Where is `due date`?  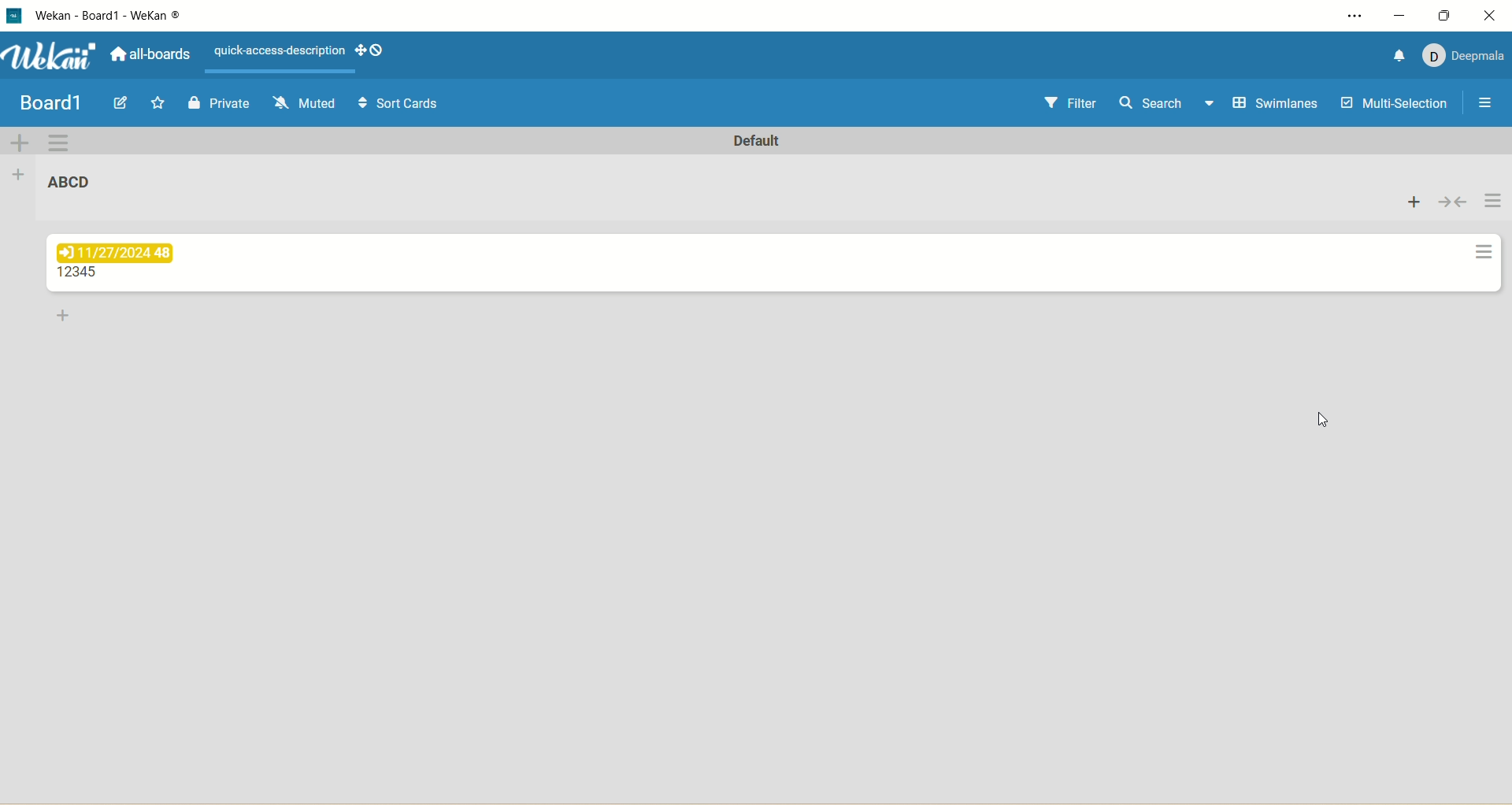
due date is located at coordinates (117, 253).